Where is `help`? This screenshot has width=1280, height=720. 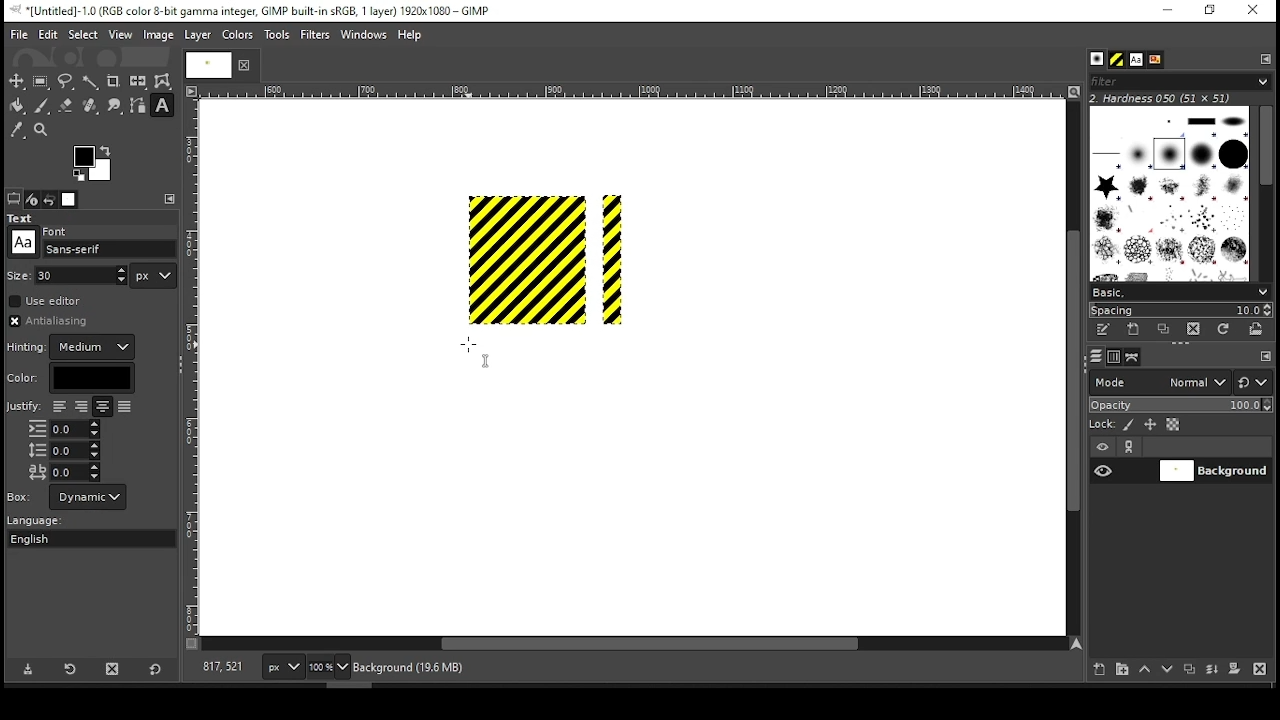 help is located at coordinates (410, 36).